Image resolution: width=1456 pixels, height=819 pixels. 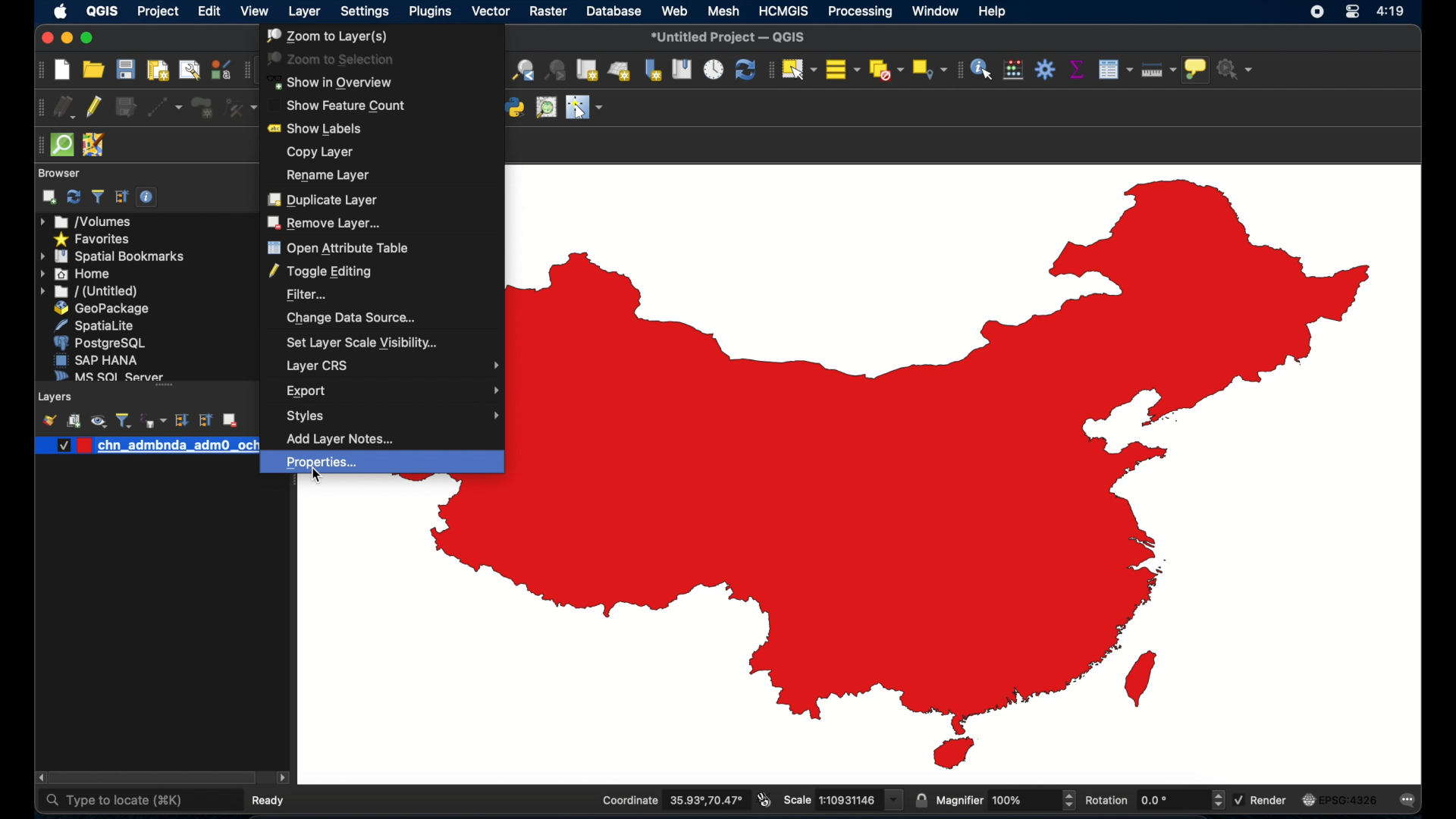 What do you see at coordinates (49, 420) in the screenshot?
I see `open layer styling panel` at bounding box center [49, 420].